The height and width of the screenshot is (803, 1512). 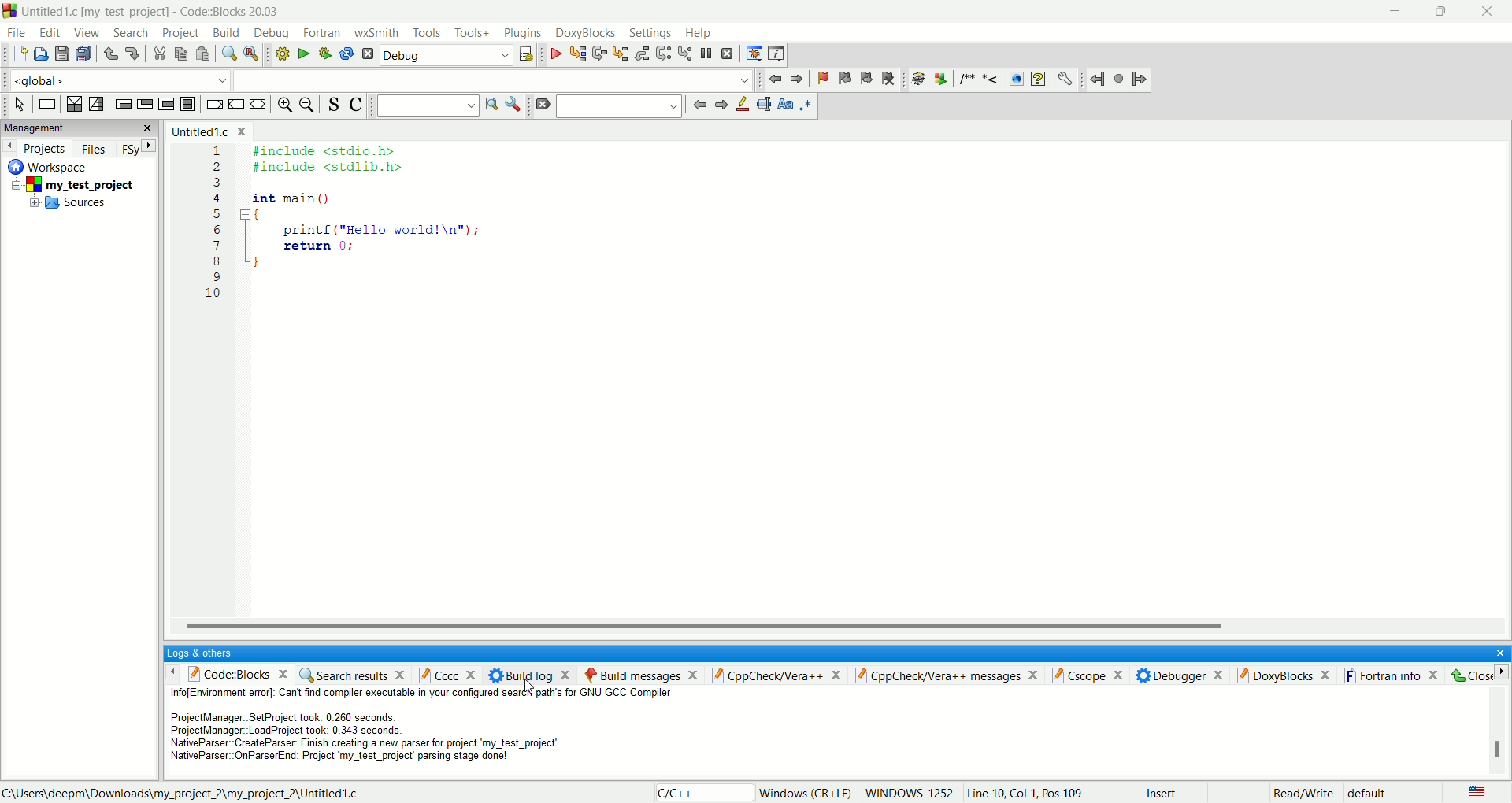 I want to click on clear bookmark, so click(x=891, y=81).